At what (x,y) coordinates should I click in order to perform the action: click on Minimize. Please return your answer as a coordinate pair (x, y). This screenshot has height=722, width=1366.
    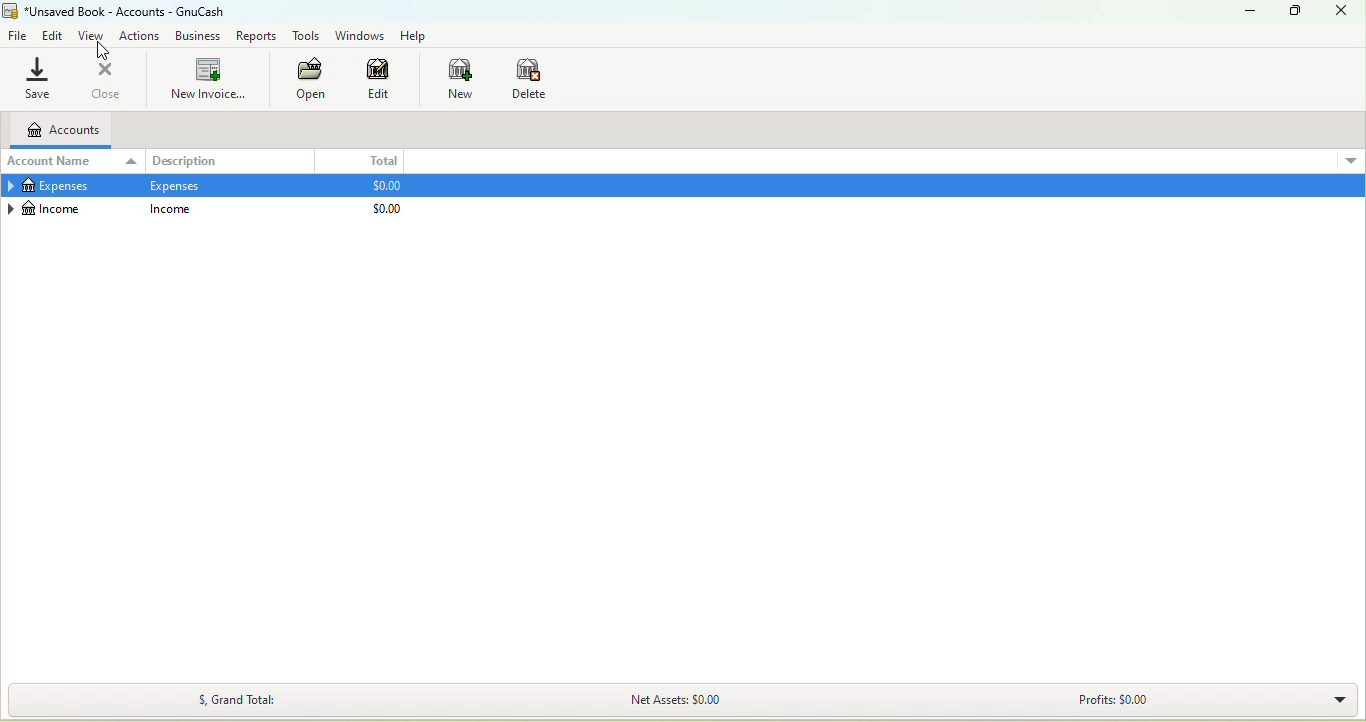
    Looking at the image, I should click on (1248, 13).